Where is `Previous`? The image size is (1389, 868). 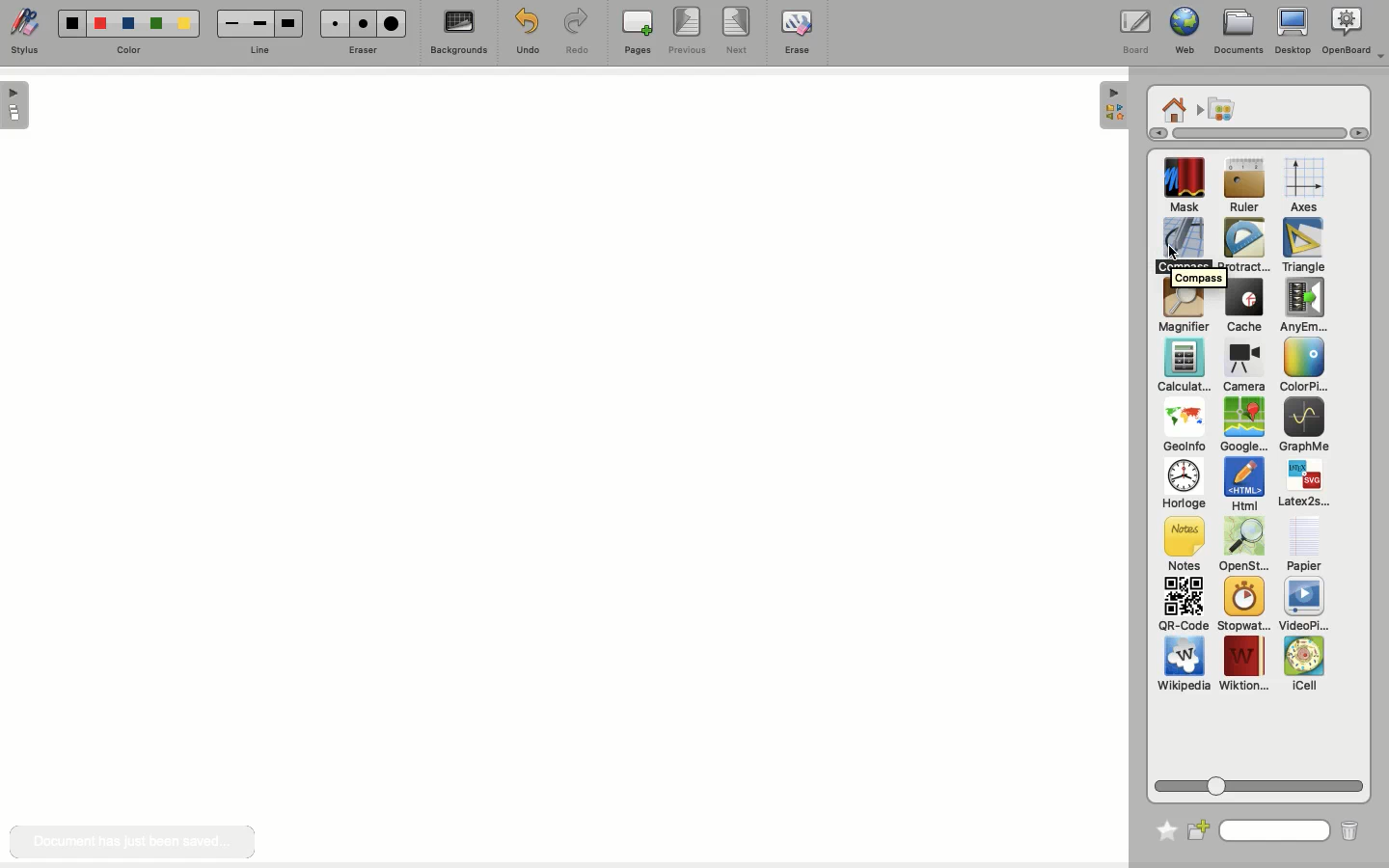
Previous is located at coordinates (687, 32).